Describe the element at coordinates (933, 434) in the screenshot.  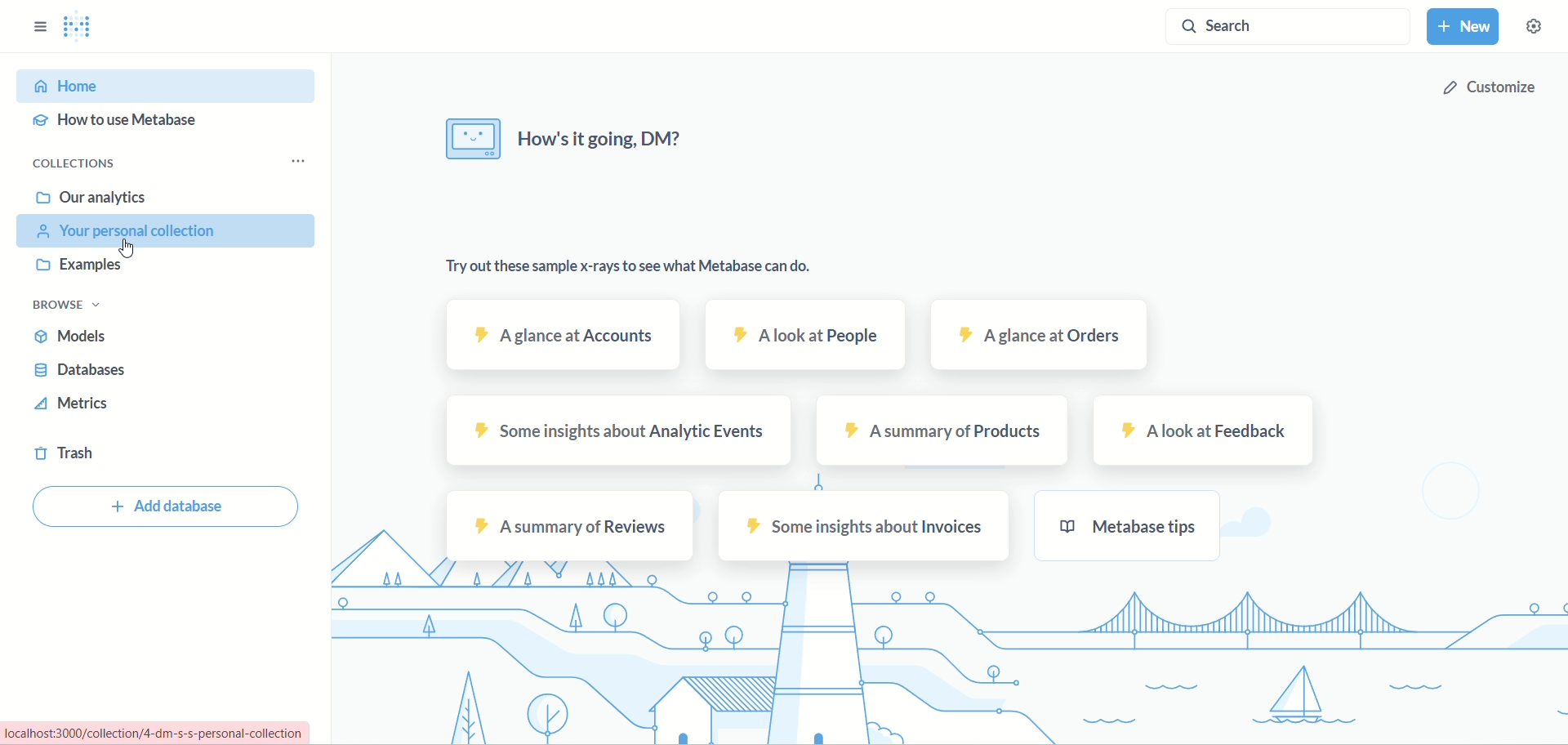
I see `A summary of products` at that location.